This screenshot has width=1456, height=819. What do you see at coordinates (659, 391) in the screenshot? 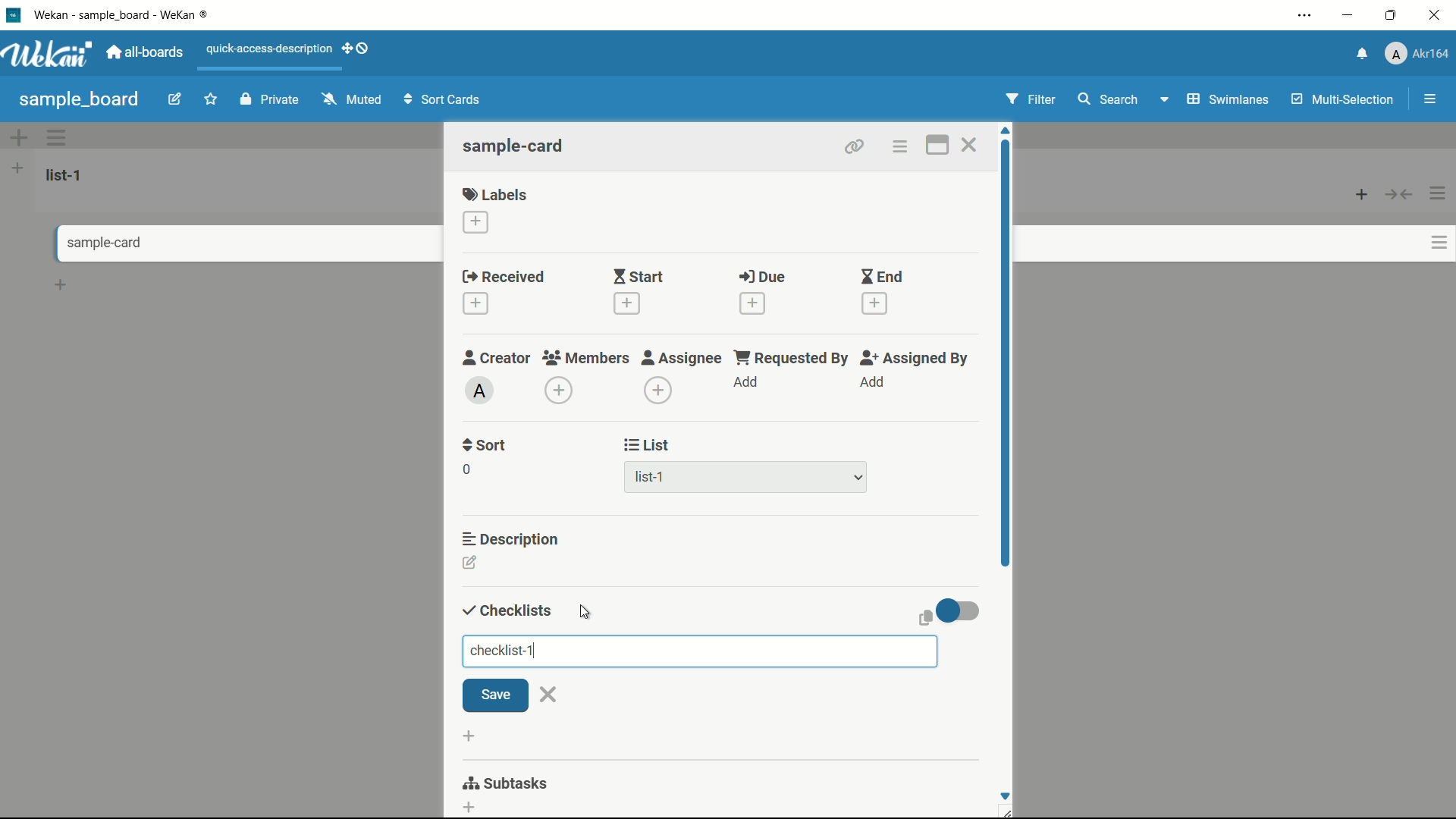
I see `add assignee` at bounding box center [659, 391].